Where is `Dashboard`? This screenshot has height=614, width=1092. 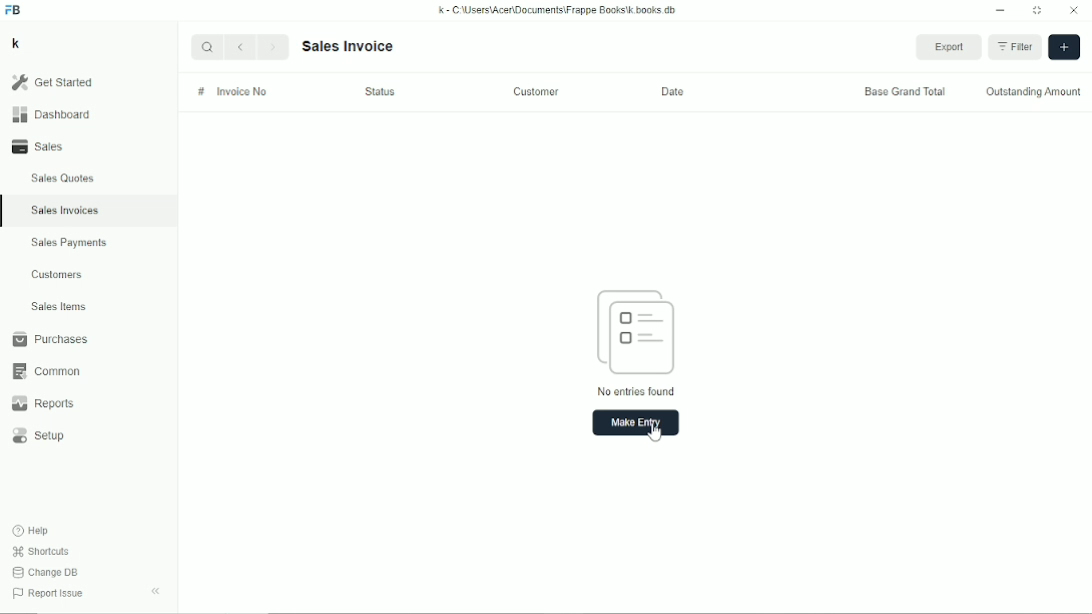
Dashboard is located at coordinates (51, 114).